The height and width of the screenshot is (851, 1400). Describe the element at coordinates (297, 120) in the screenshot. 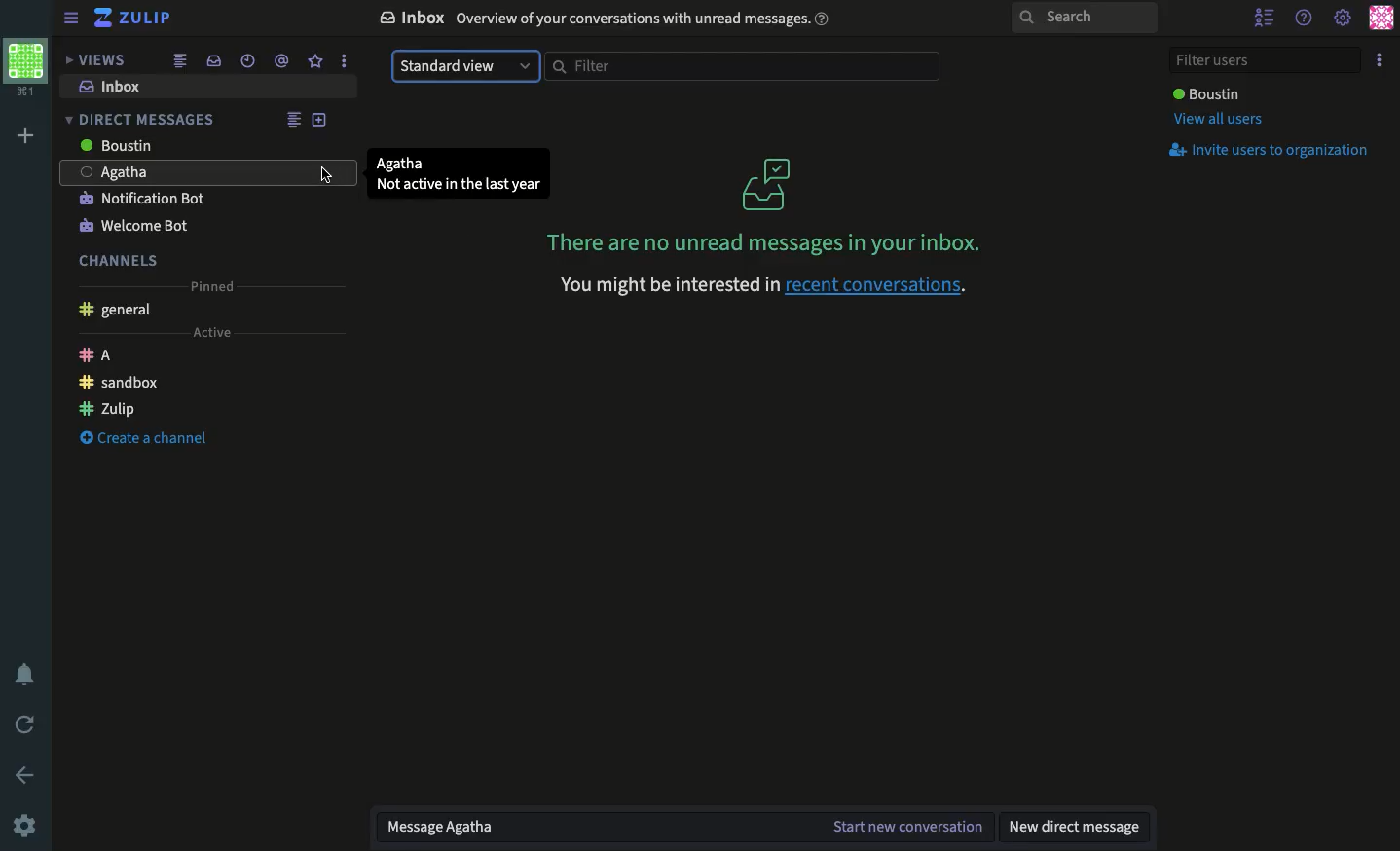

I see `Feed` at that location.